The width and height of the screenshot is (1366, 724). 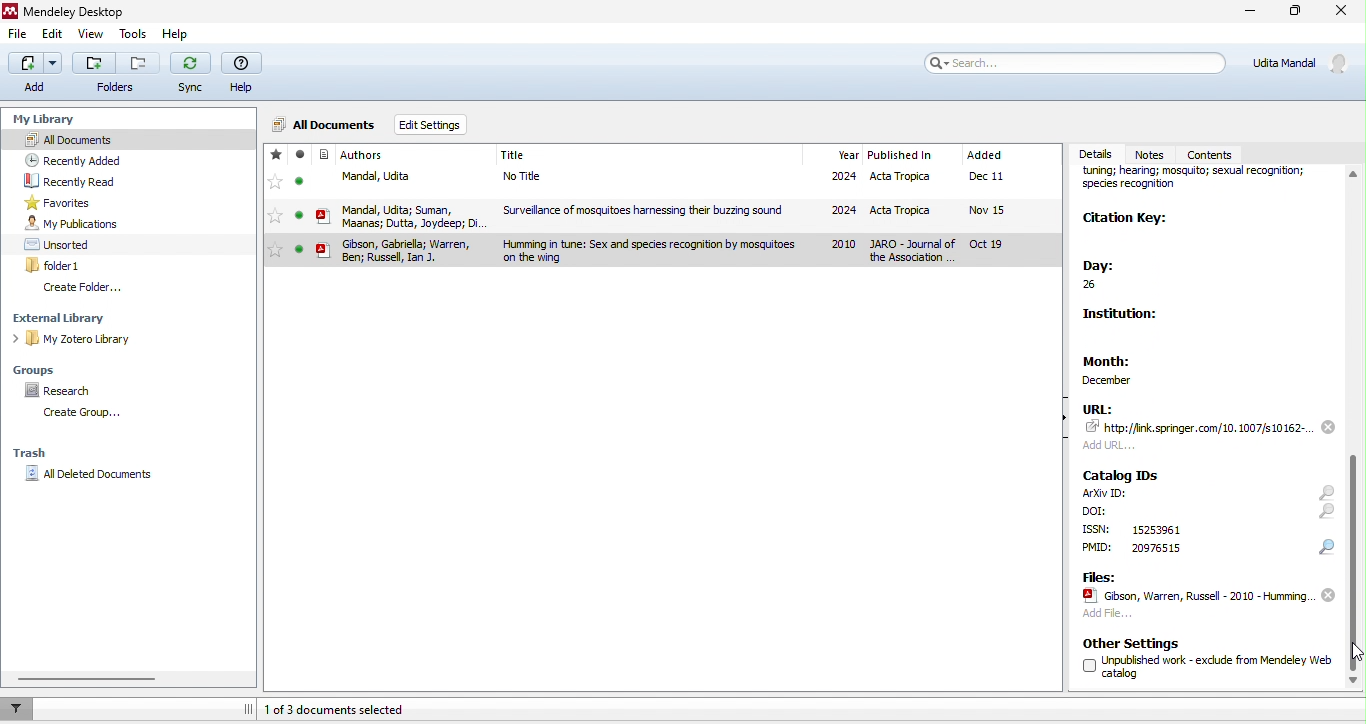 I want to click on checkbox, so click(x=1088, y=666).